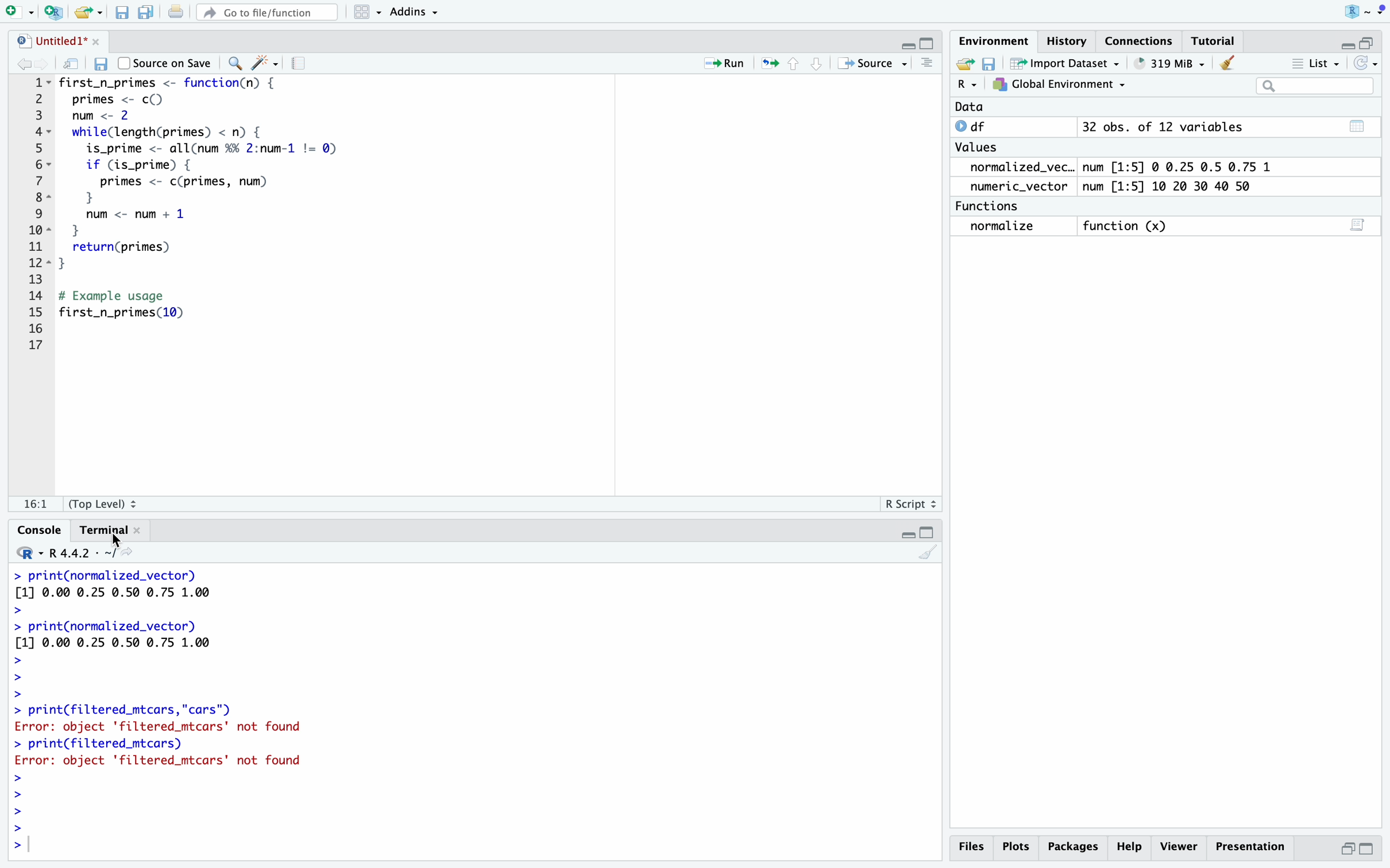 This screenshot has height=868, width=1390. What do you see at coordinates (115, 540) in the screenshot?
I see `cursor` at bounding box center [115, 540].